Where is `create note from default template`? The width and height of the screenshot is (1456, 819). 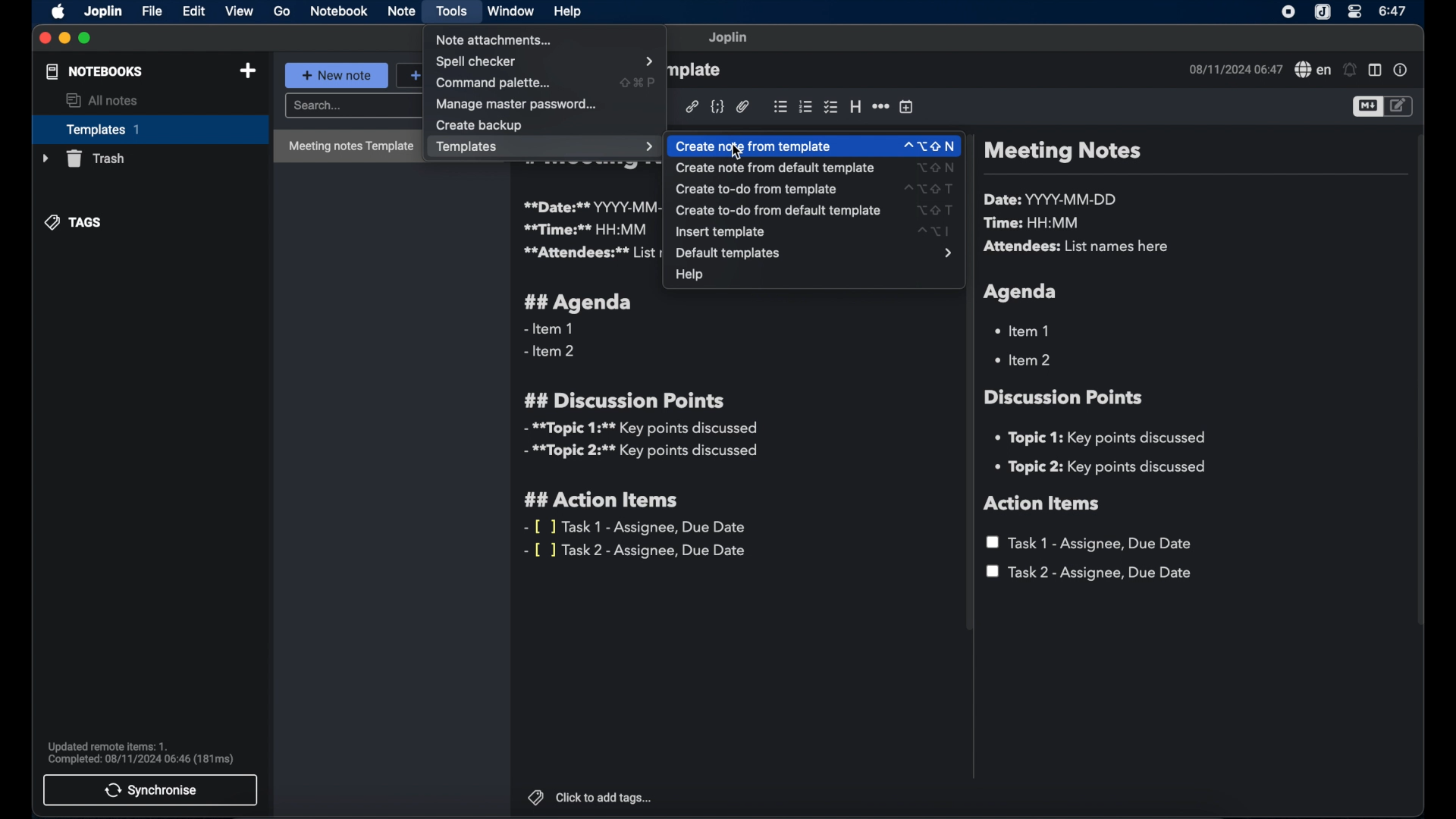
create note from default template is located at coordinates (819, 168).